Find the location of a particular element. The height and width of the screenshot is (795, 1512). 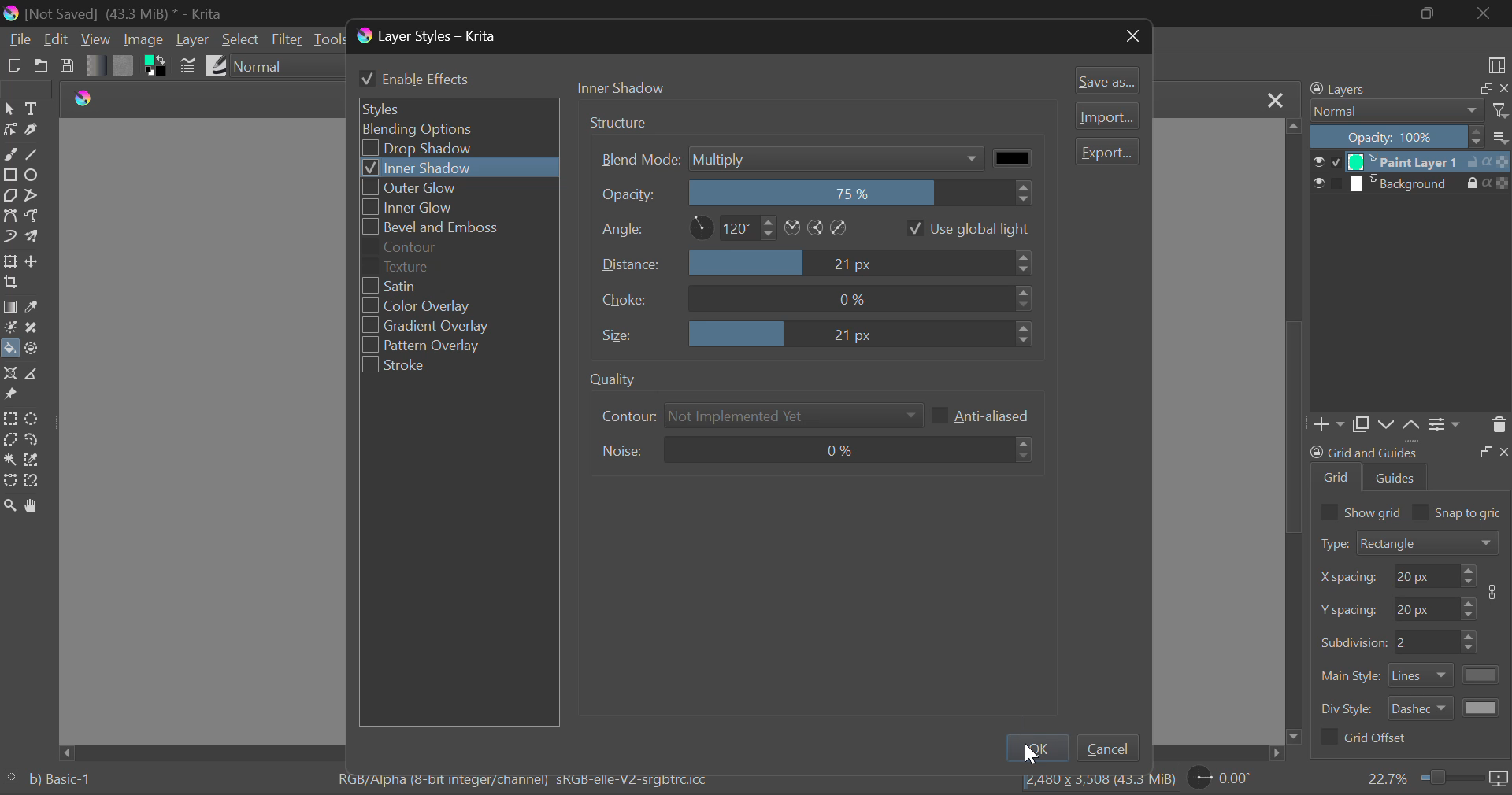

Enable Effects is located at coordinates (425, 79).